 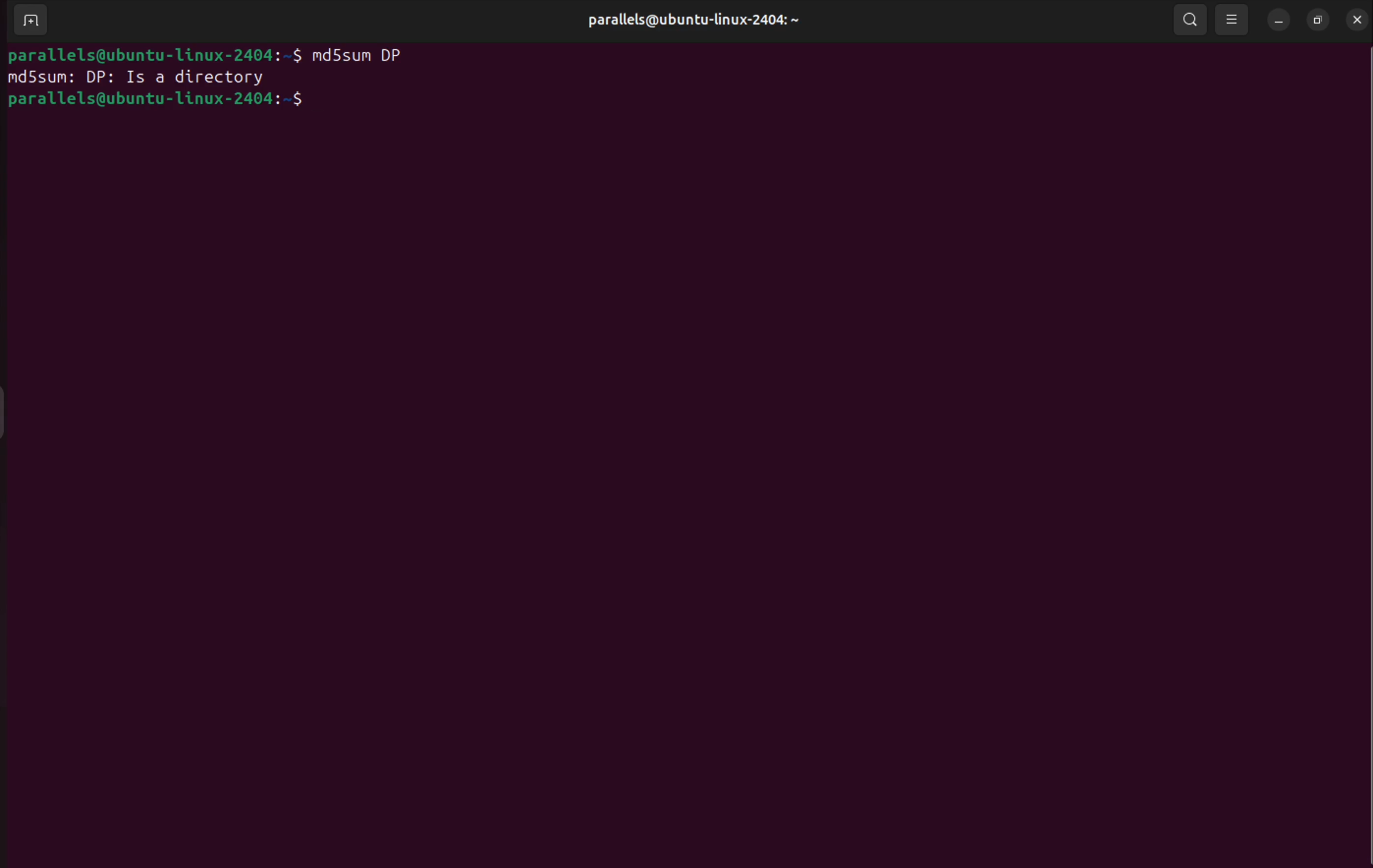 I want to click on add terminal, so click(x=28, y=21).